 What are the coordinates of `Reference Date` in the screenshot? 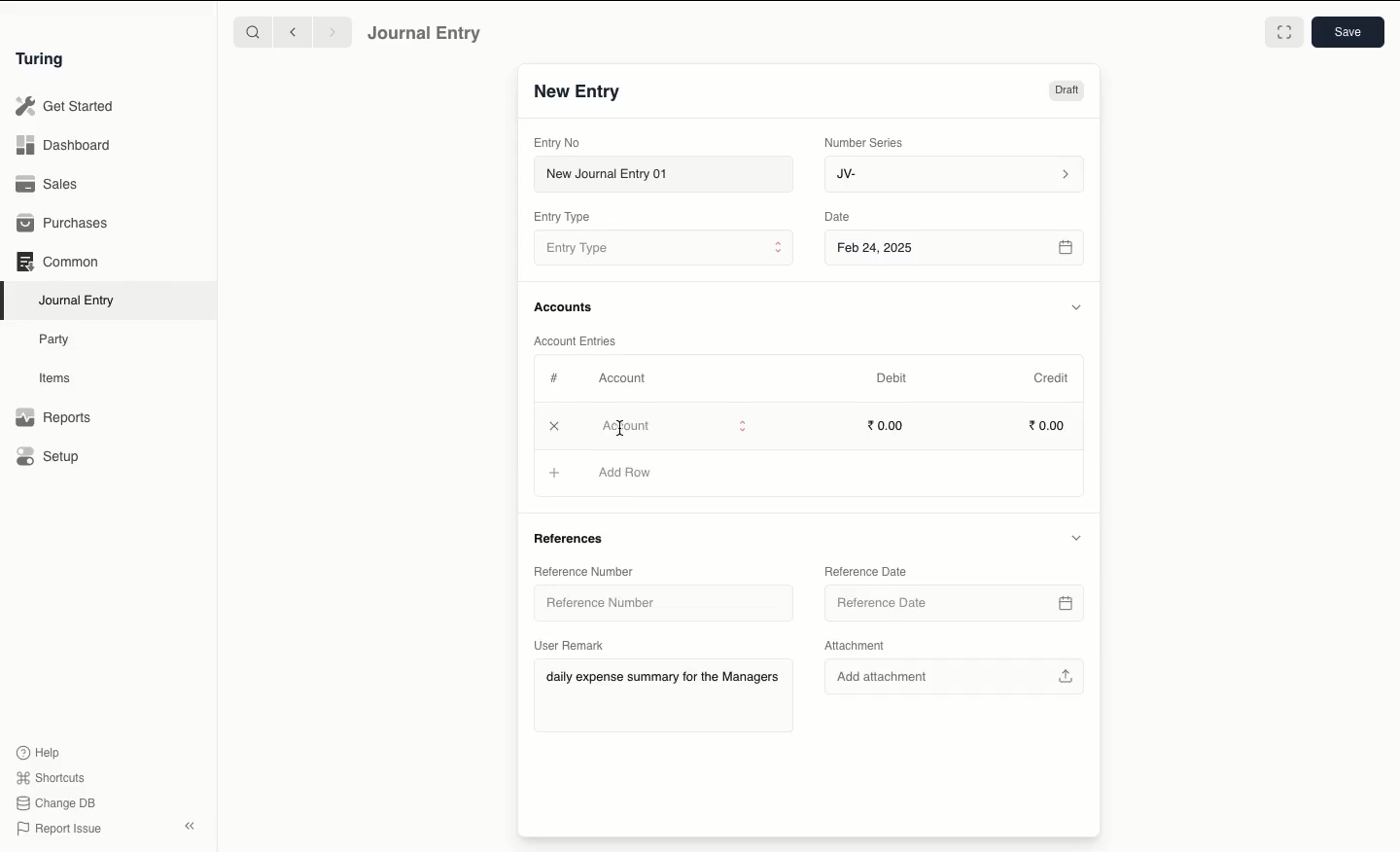 It's located at (864, 570).